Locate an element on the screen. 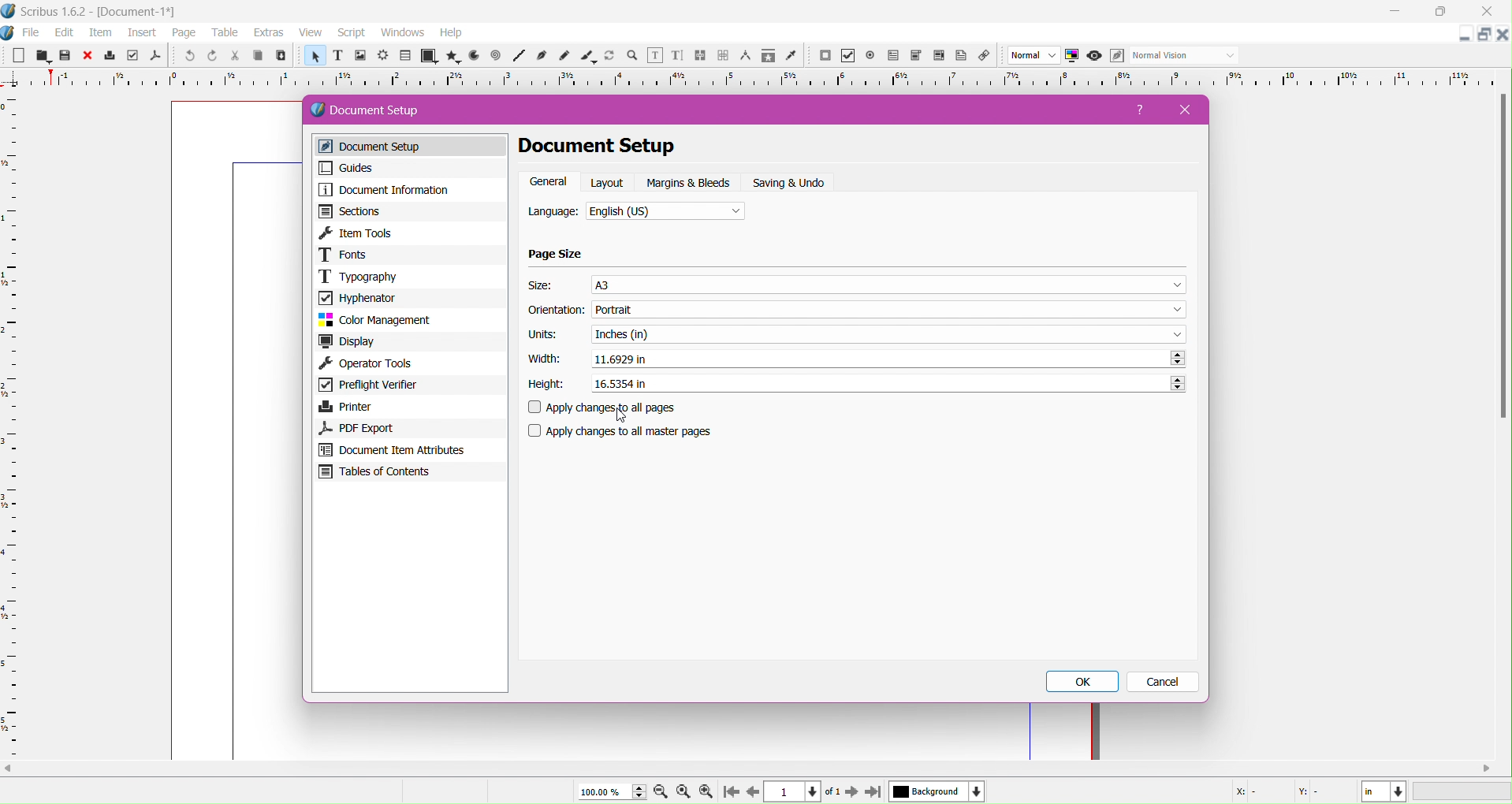 This screenshot has width=1512, height=804. close app is located at coordinates (1492, 10).